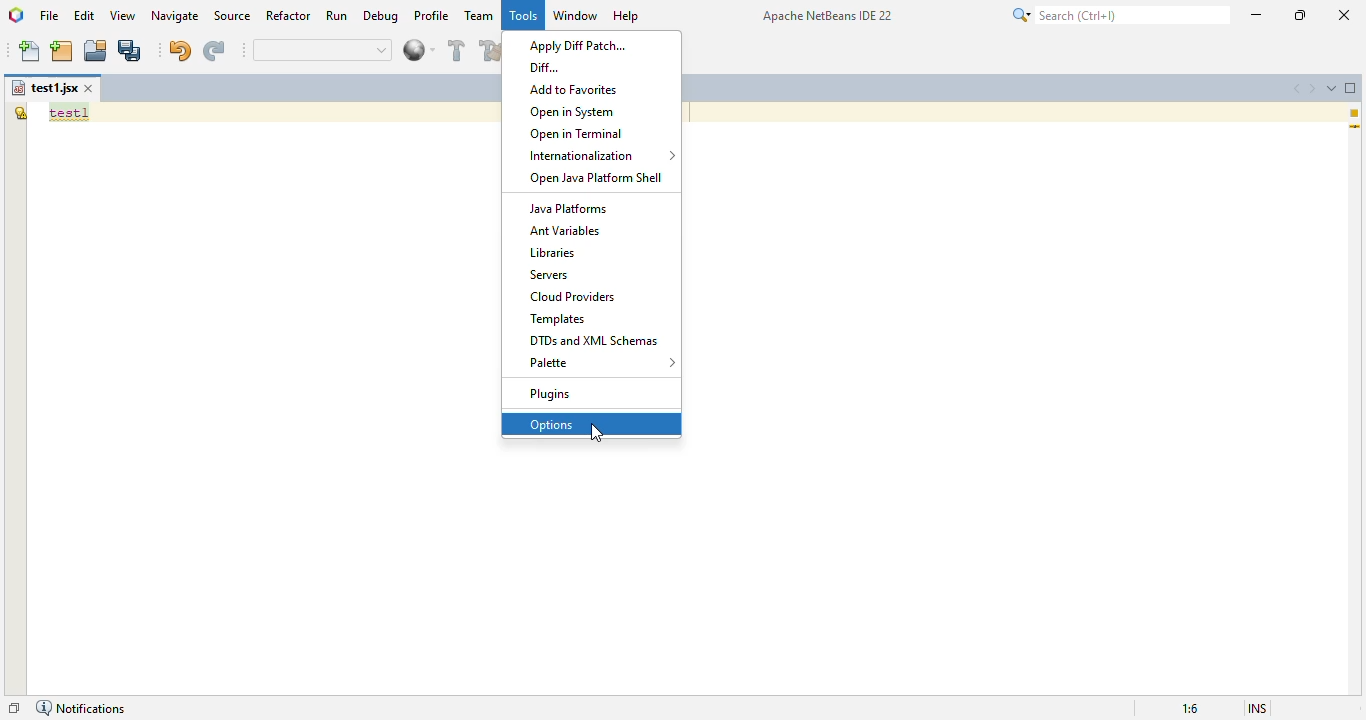 The height and width of the screenshot is (720, 1366). Describe the element at coordinates (597, 434) in the screenshot. I see `cursor` at that location.